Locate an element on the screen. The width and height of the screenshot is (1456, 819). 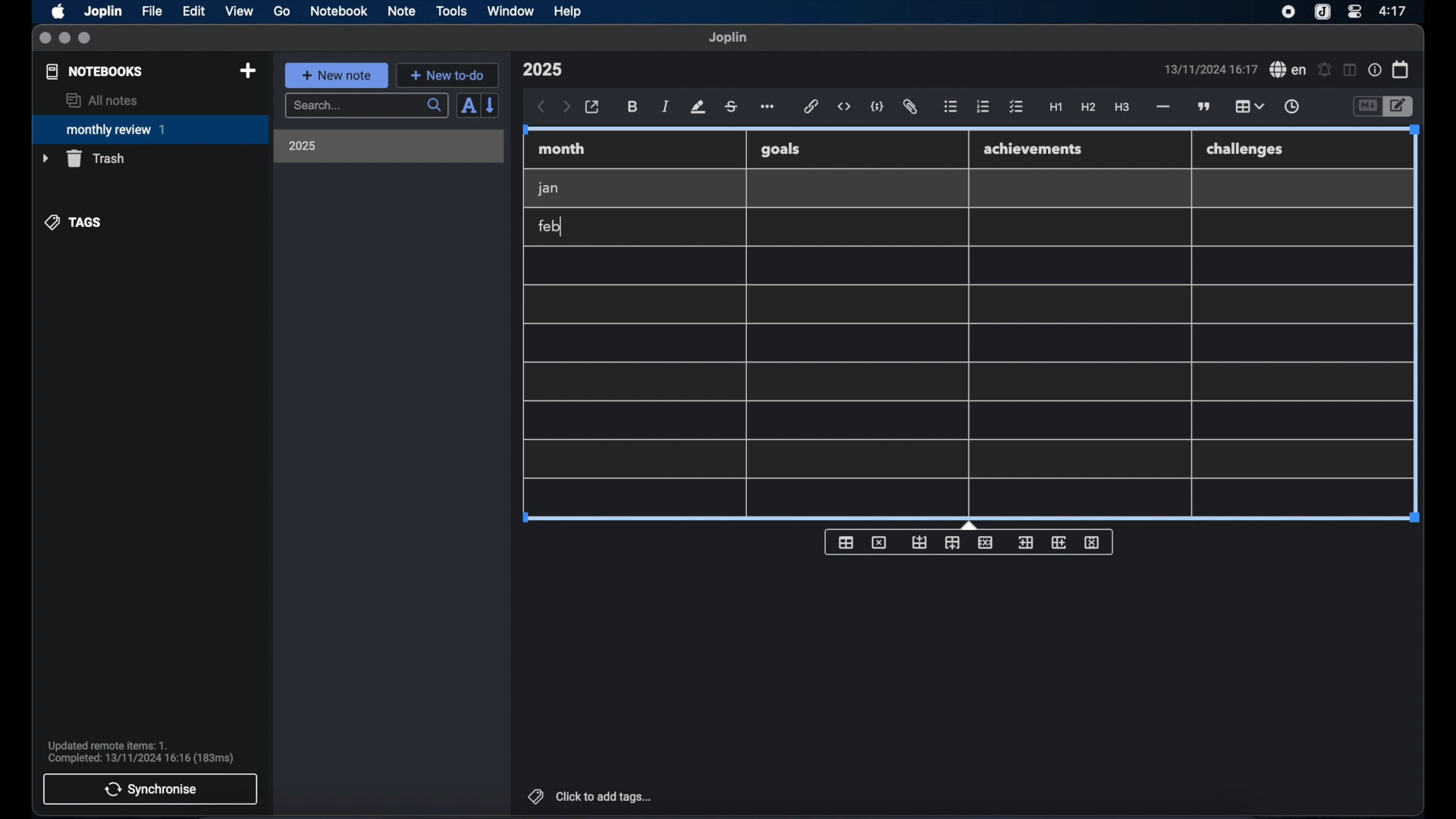
insert column after is located at coordinates (1059, 542).